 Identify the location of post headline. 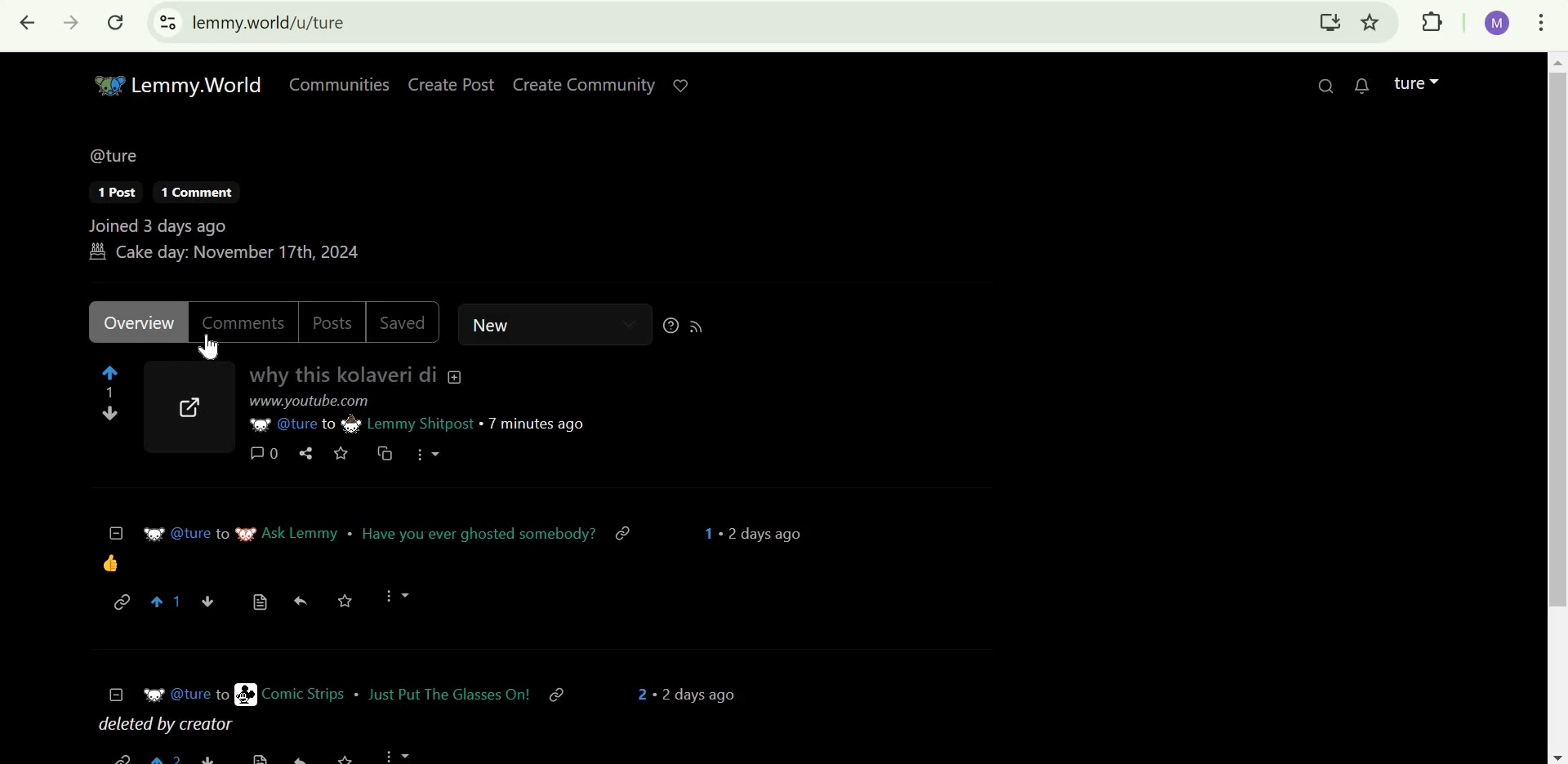
(446, 693).